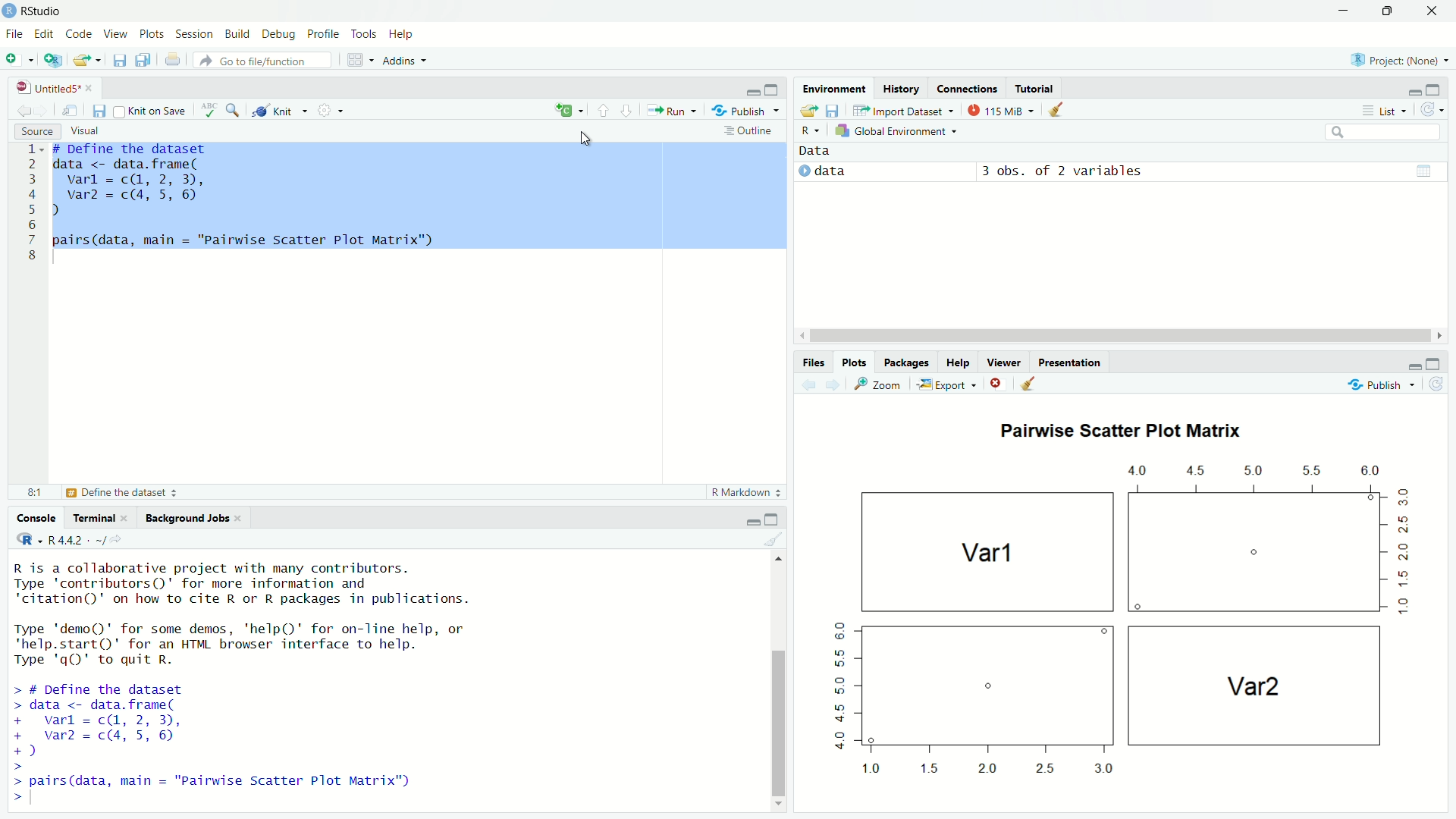  I want to click on Minimize, so click(752, 91).